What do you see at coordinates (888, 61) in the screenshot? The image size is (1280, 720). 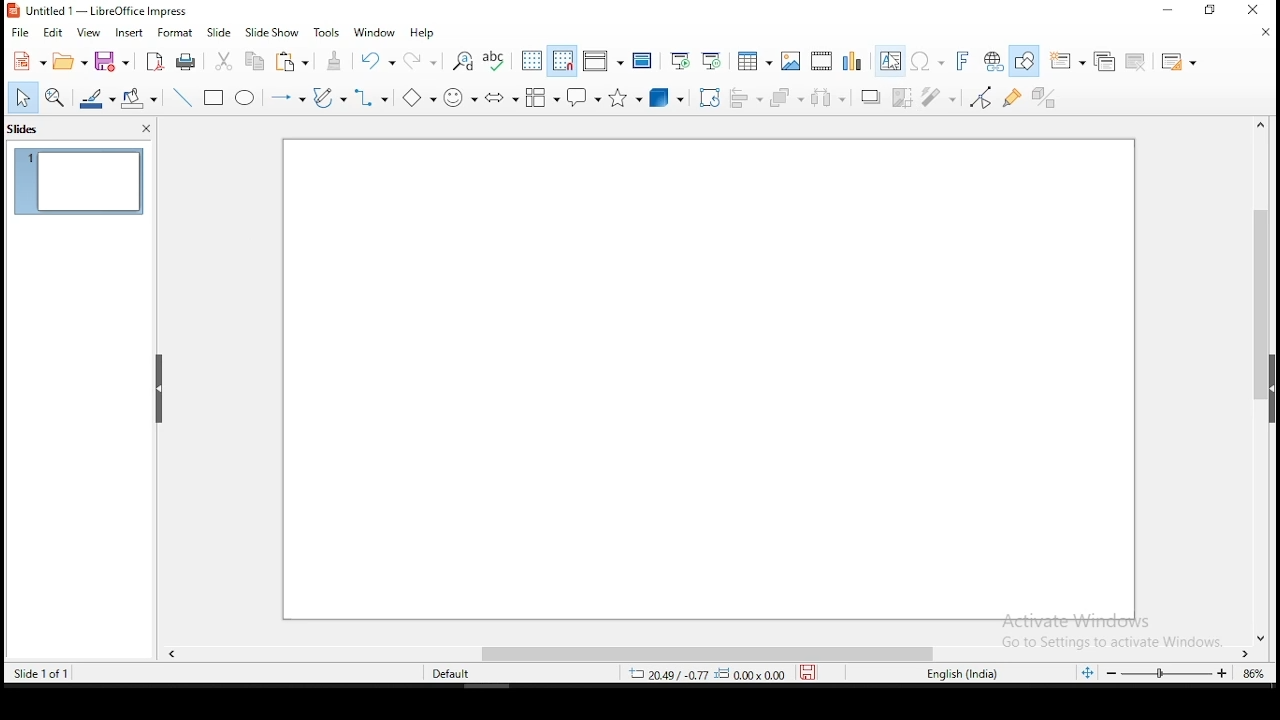 I see `text box` at bounding box center [888, 61].